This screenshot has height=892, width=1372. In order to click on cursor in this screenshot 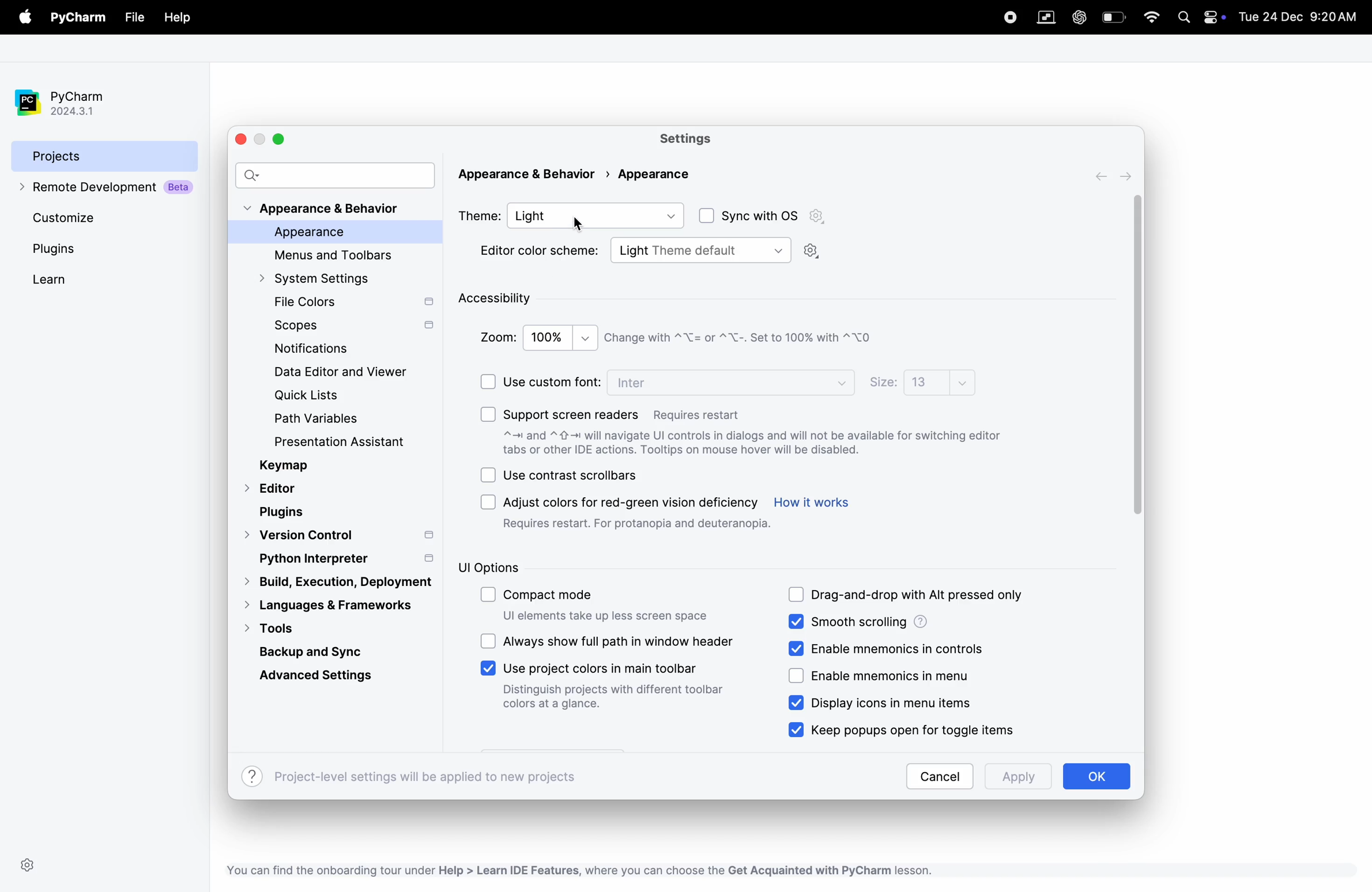, I will do `click(579, 225)`.